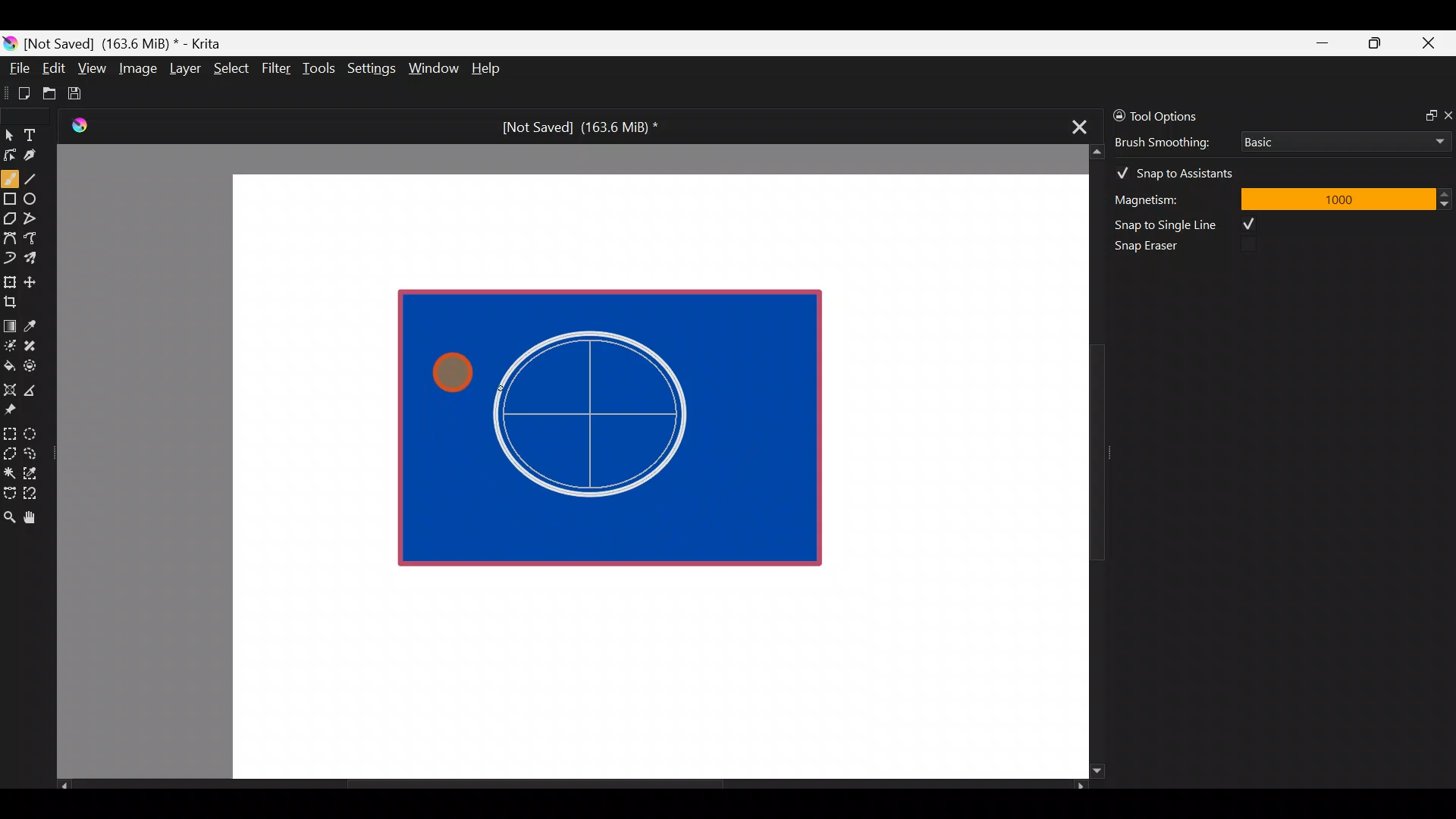 Image resolution: width=1456 pixels, height=819 pixels. I want to click on Edit shapes tool, so click(10, 154).